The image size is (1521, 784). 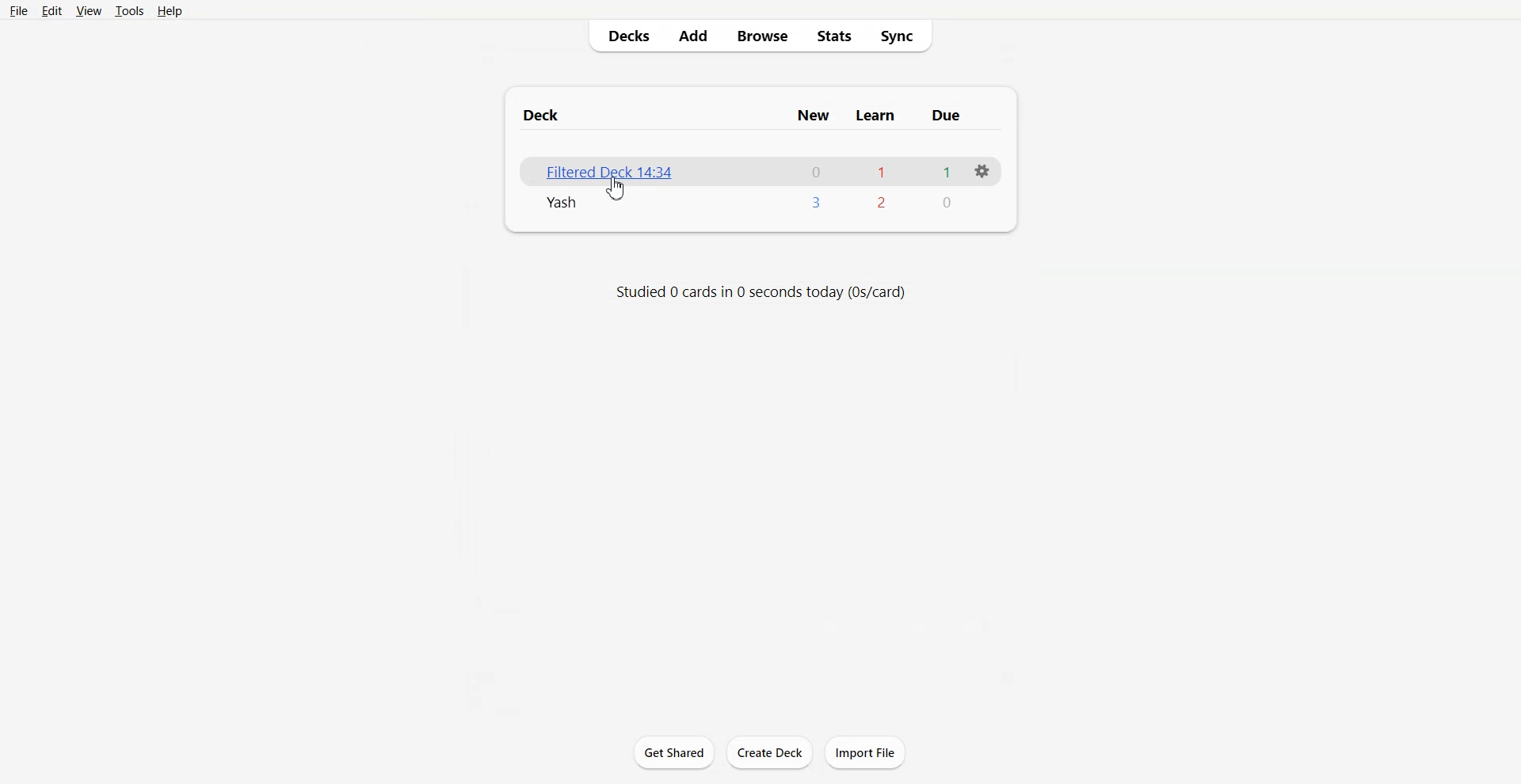 What do you see at coordinates (558, 204) in the screenshot?
I see `Deck File` at bounding box center [558, 204].